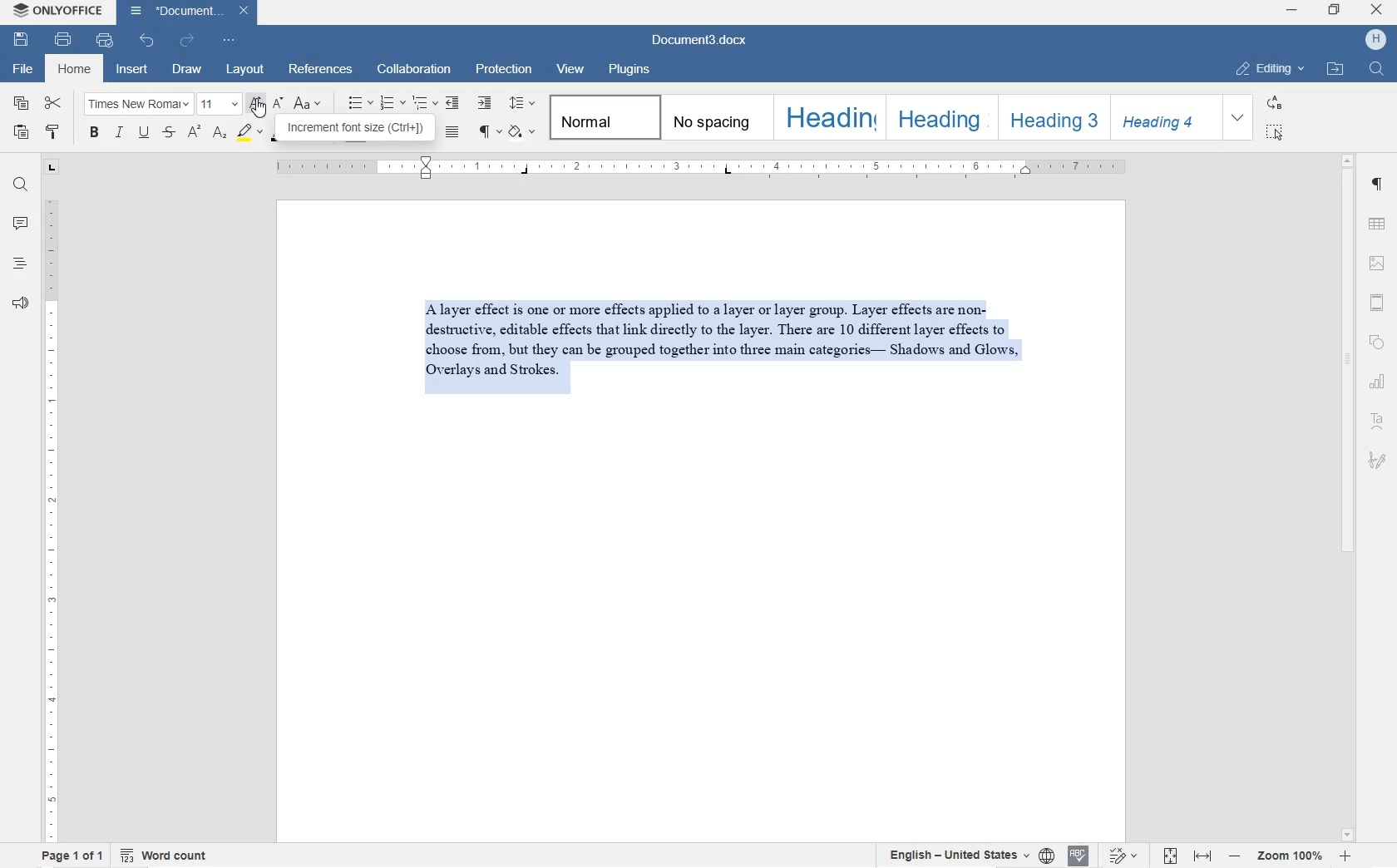  I want to click on Layout, so click(244, 70).